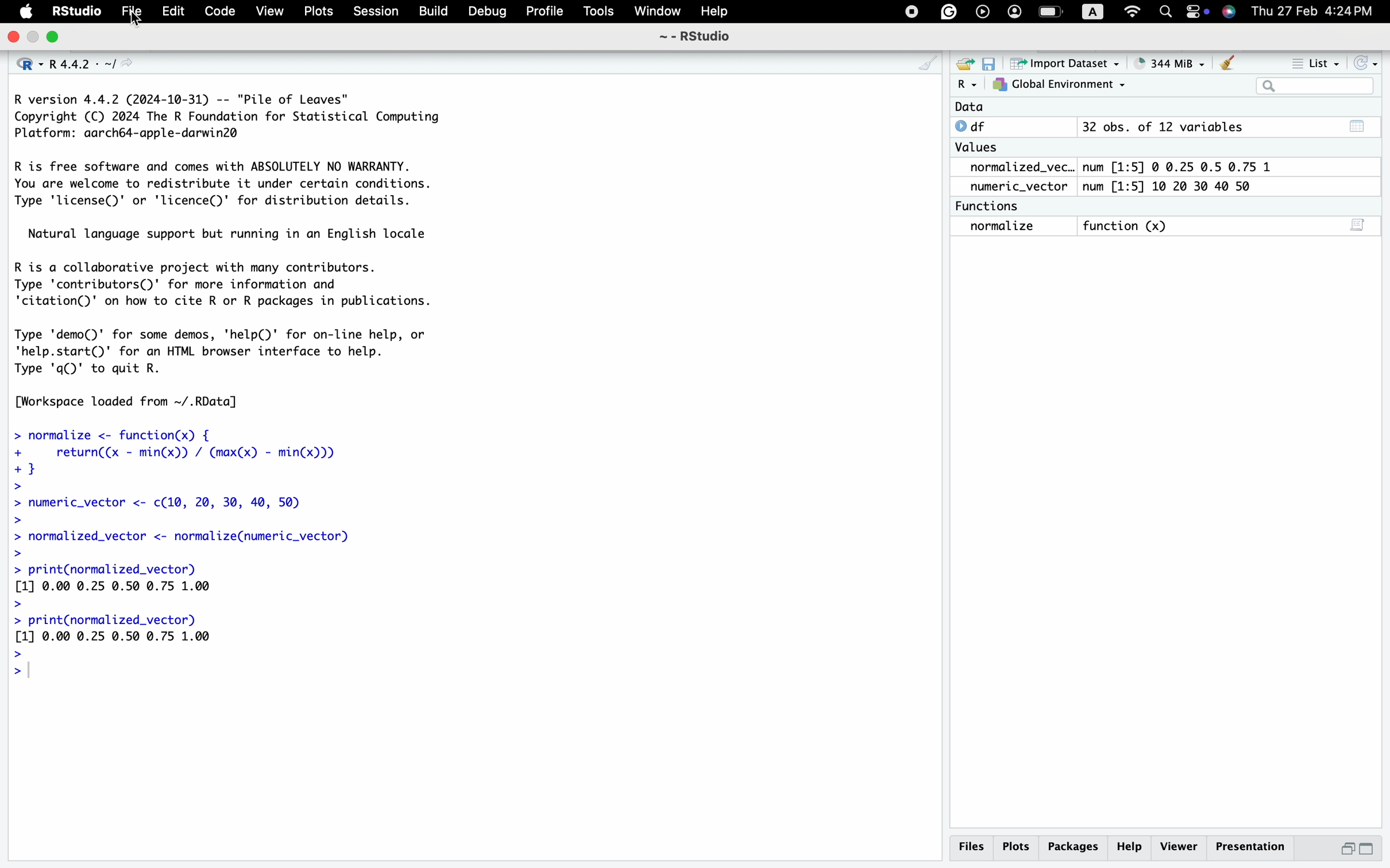 This screenshot has height=868, width=1390. Describe the element at coordinates (89, 64) in the screenshot. I see `R 4.4.2 . ~/` at that location.